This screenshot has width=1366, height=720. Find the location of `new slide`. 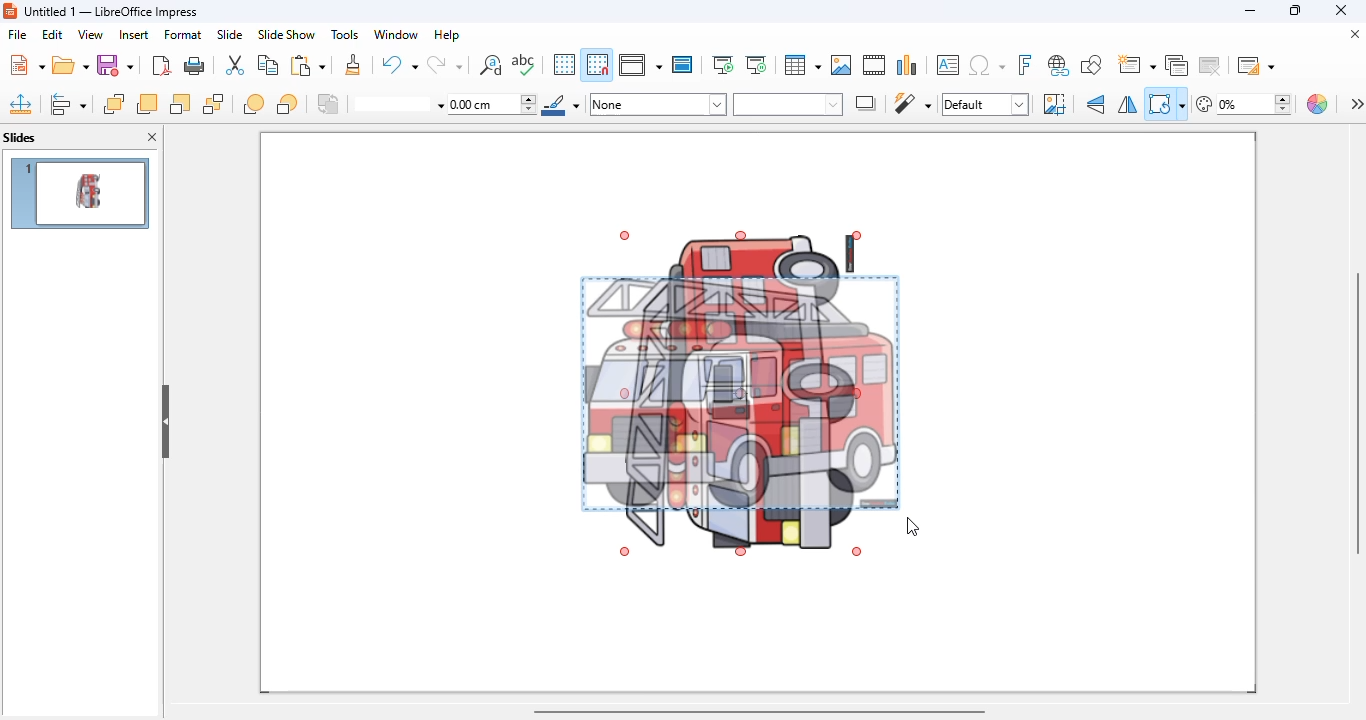

new slide is located at coordinates (1137, 64).